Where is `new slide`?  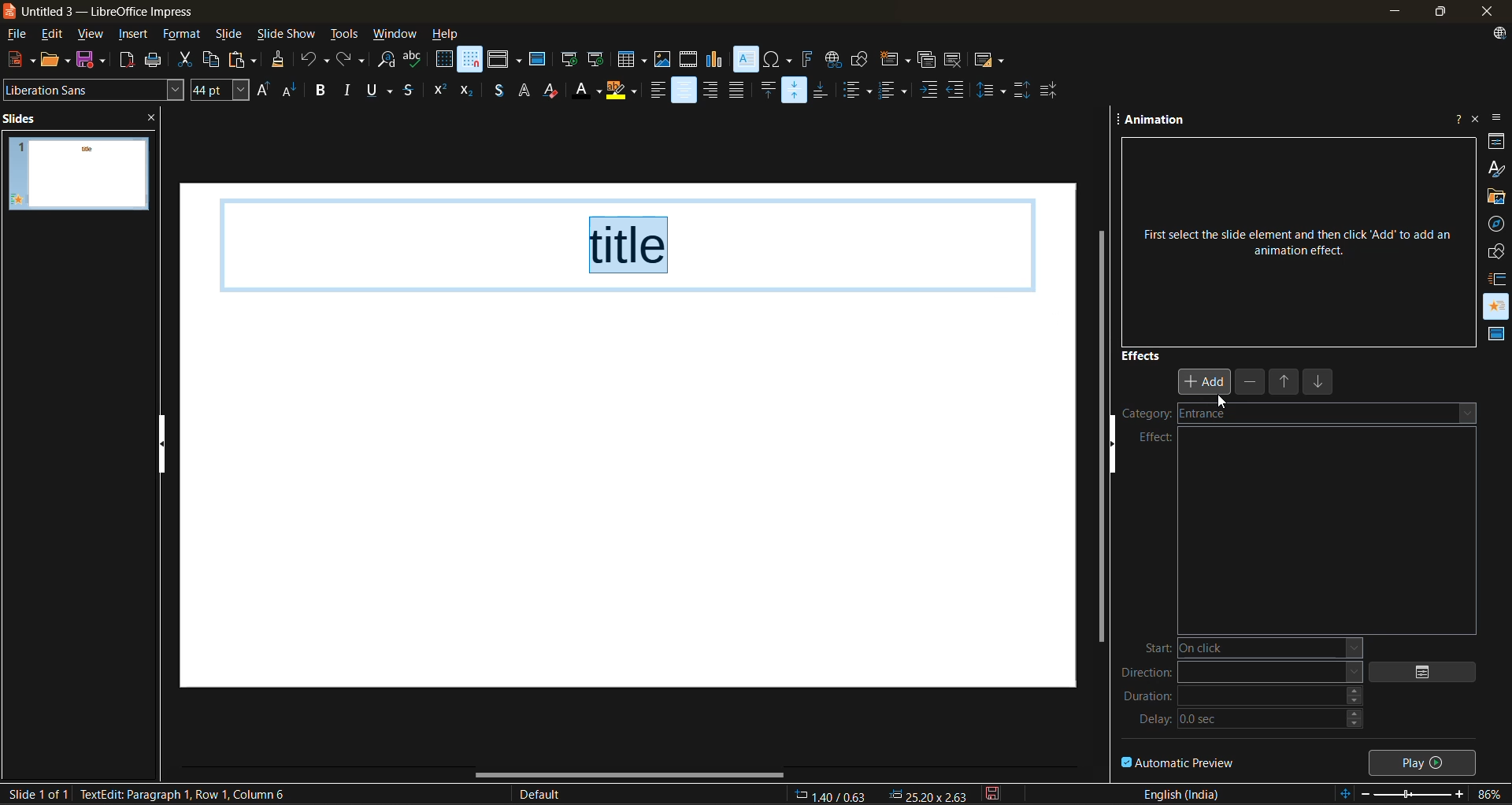 new slide is located at coordinates (894, 61).